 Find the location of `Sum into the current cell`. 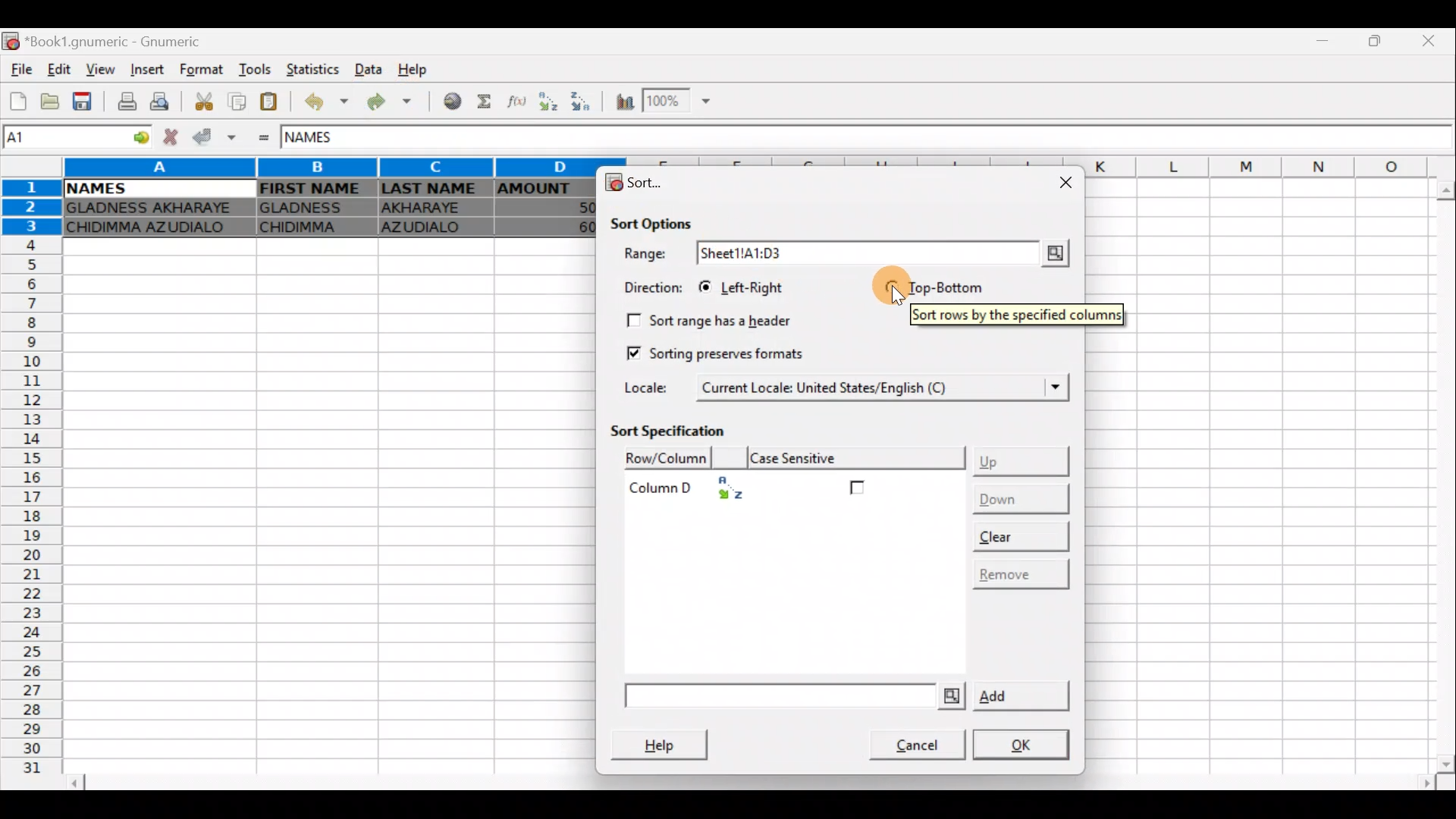

Sum into the current cell is located at coordinates (486, 102).